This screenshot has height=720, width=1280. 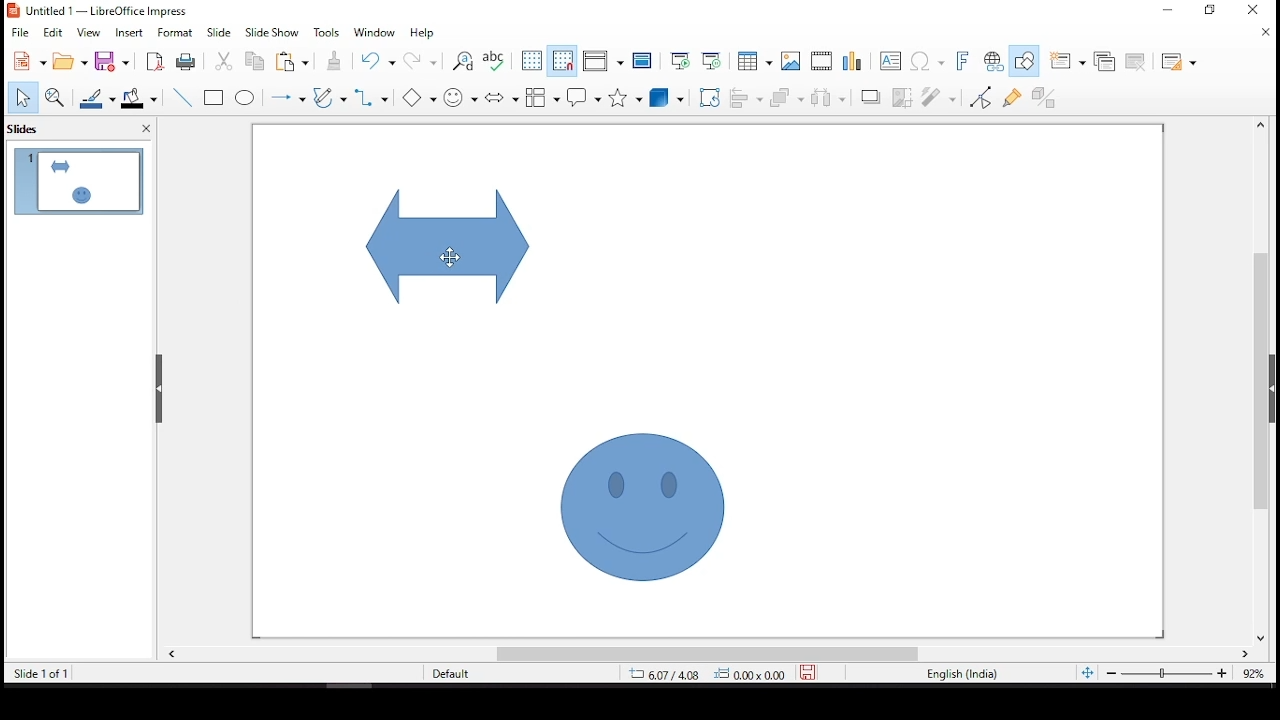 What do you see at coordinates (20, 31) in the screenshot?
I see `file` at bounding box center [20, 31].